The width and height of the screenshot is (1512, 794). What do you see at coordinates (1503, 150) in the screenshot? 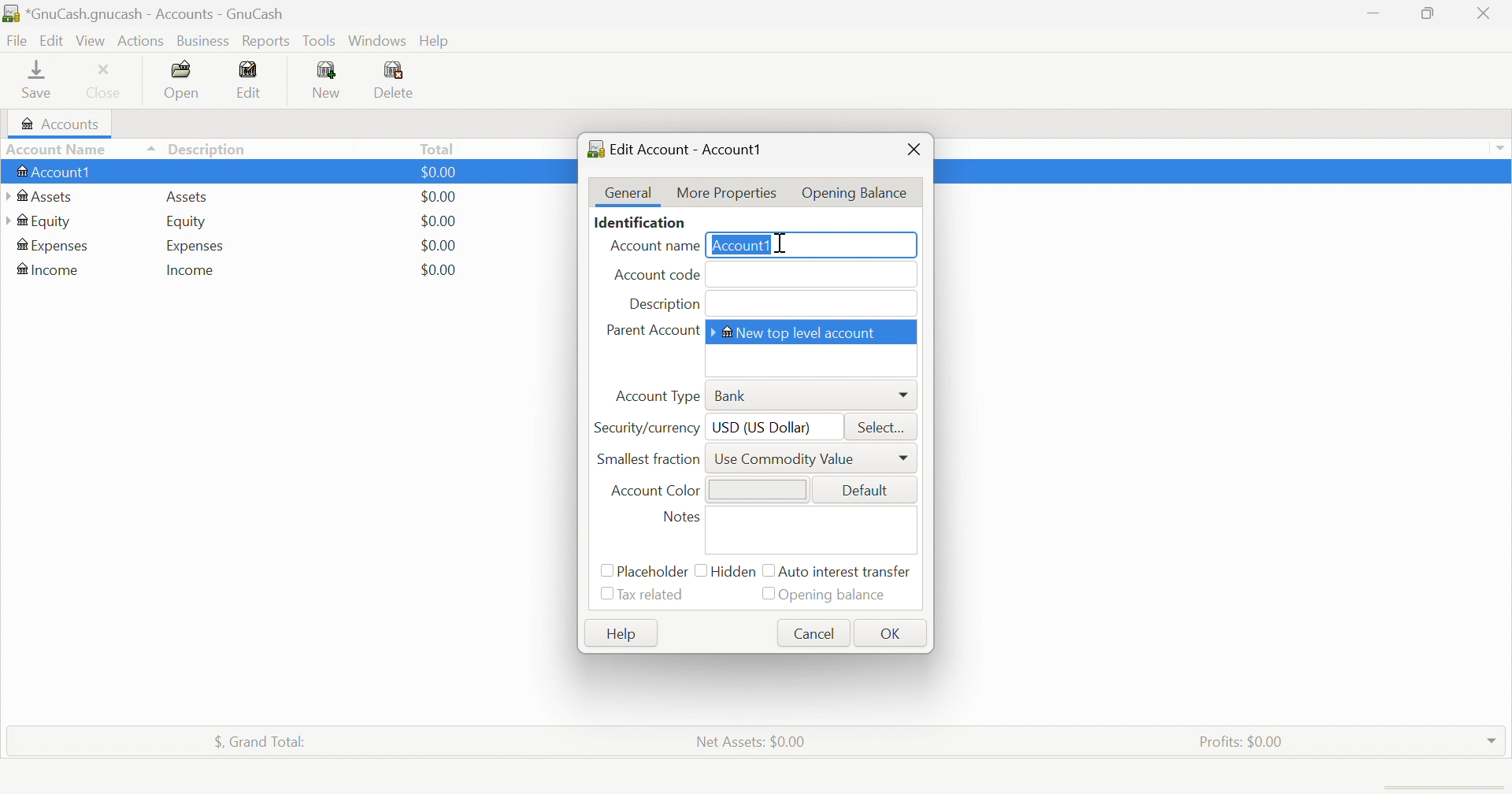
I see `Drop Down` at bounding box center [1503, 150].